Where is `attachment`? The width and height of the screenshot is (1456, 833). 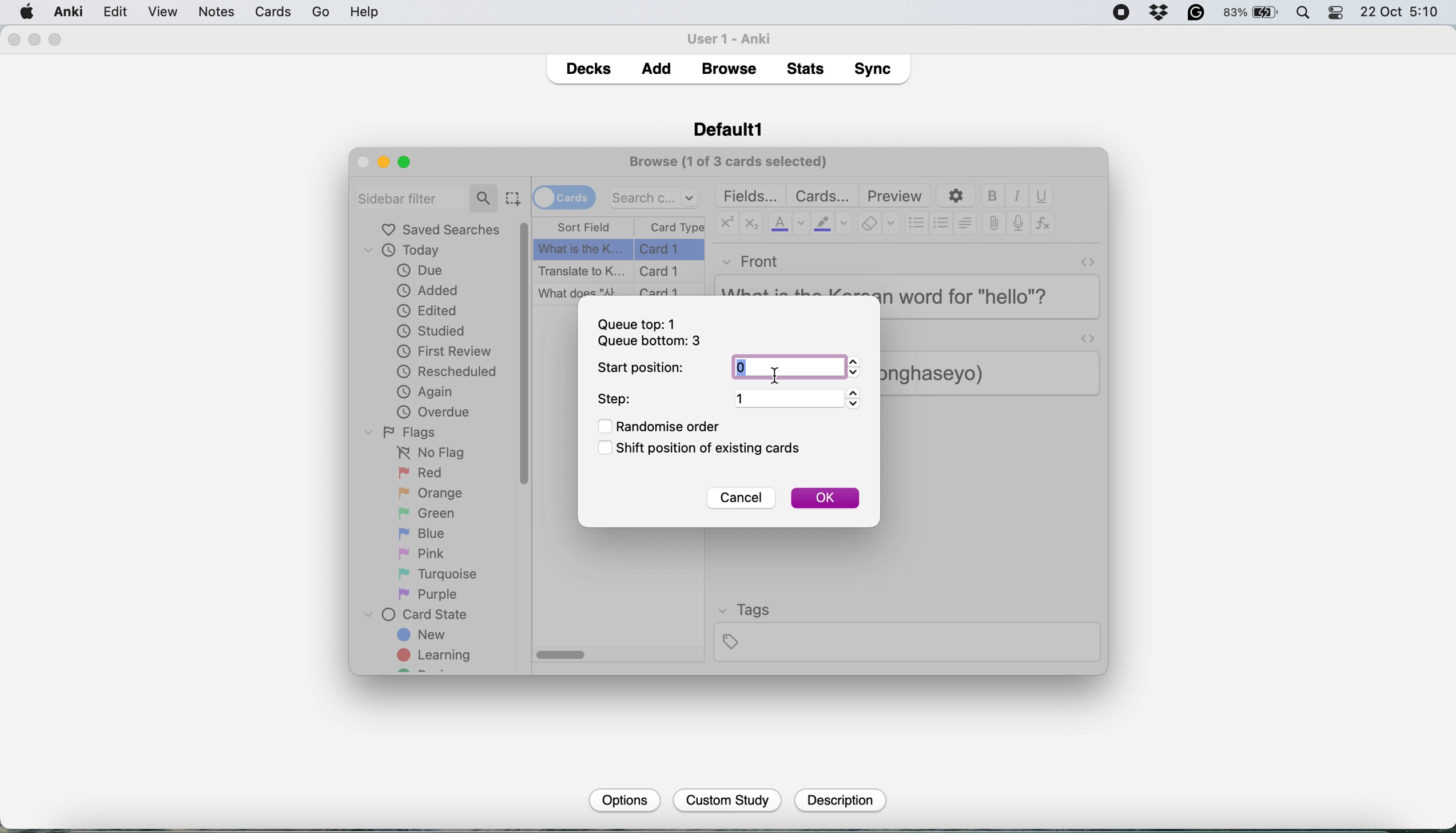 attachment is located at coordinates (994, 224).